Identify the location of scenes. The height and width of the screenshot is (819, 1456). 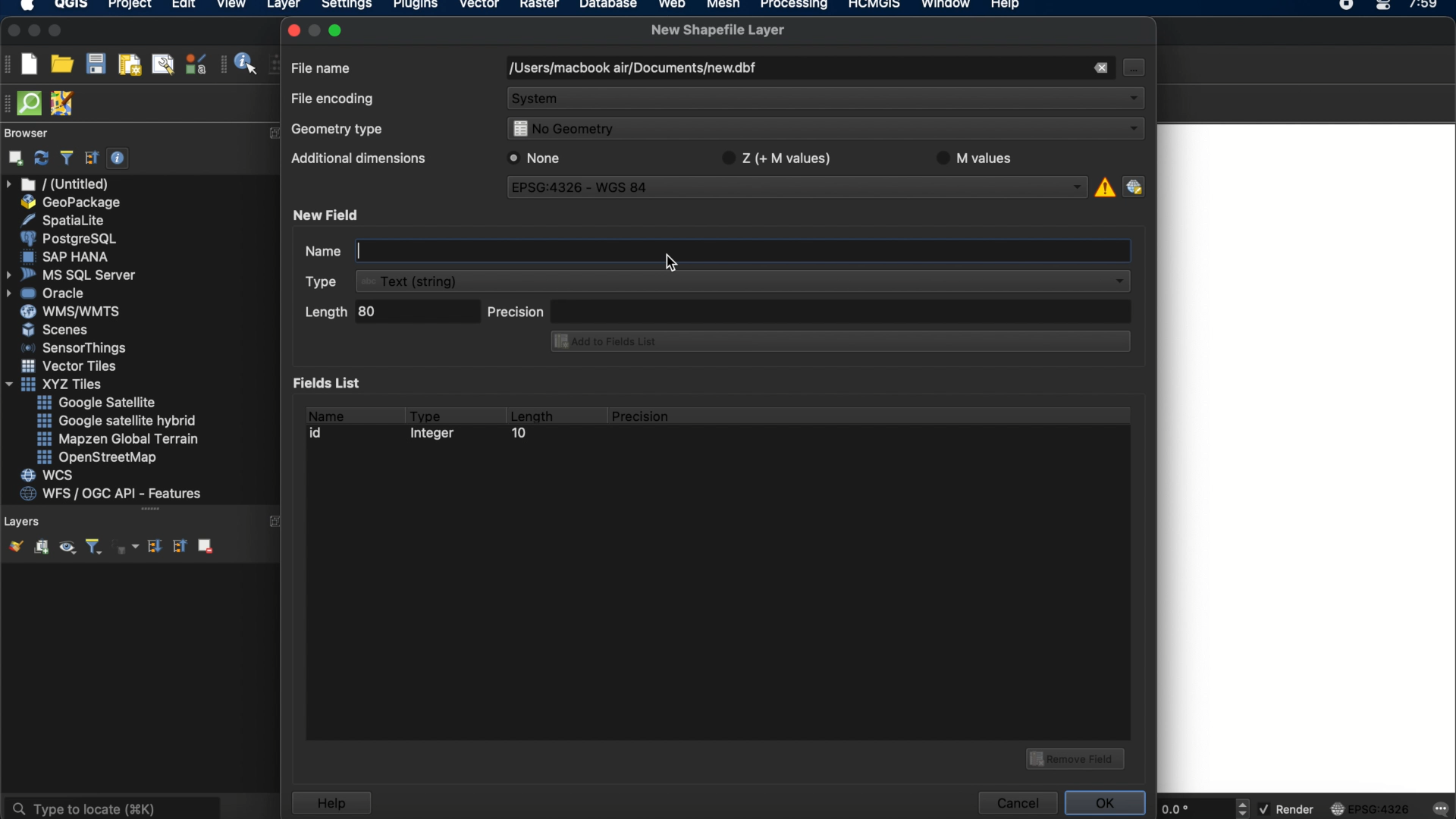
(56, 329).